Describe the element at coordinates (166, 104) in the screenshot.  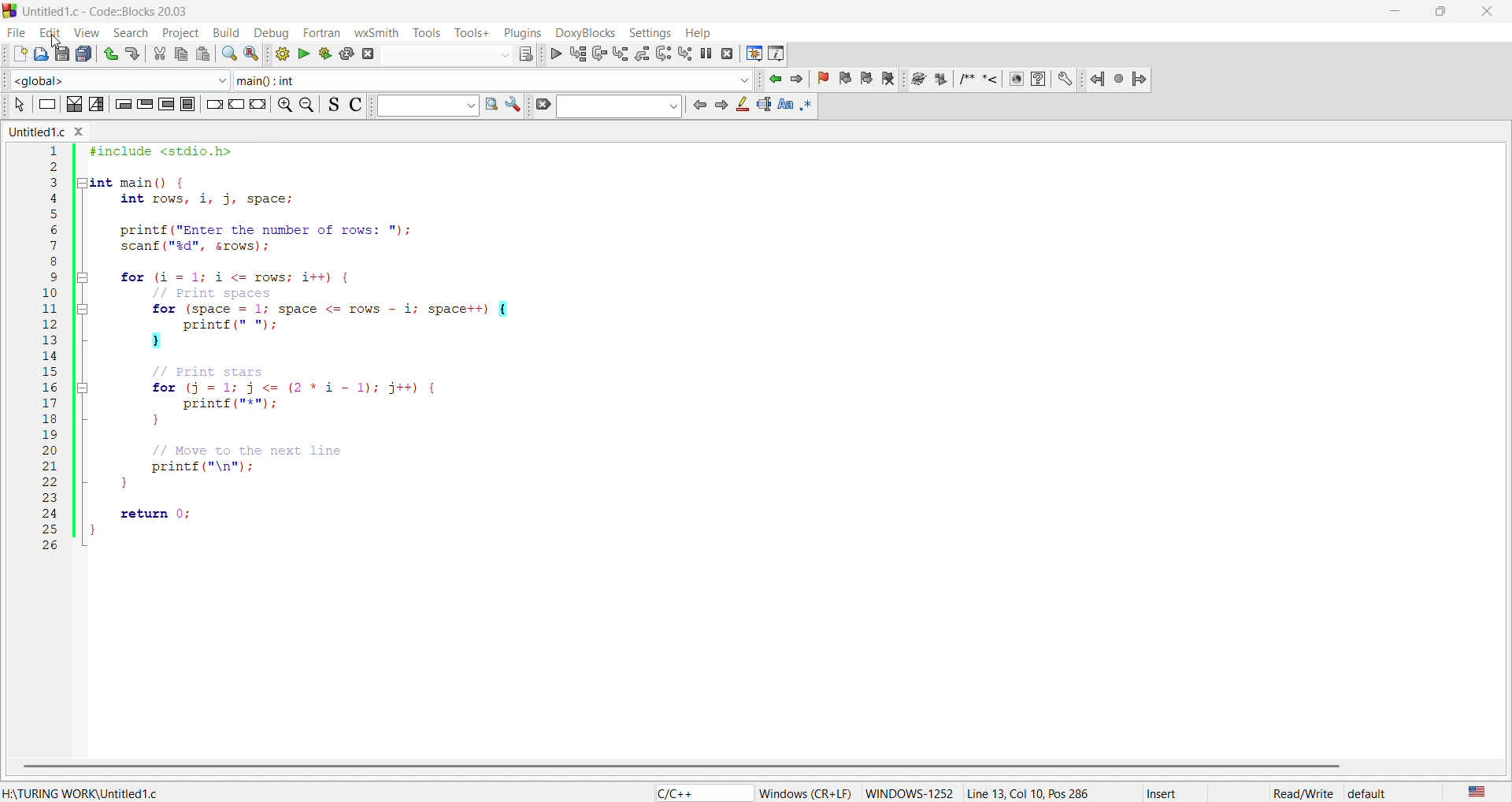
I see `counting loop` at that location.